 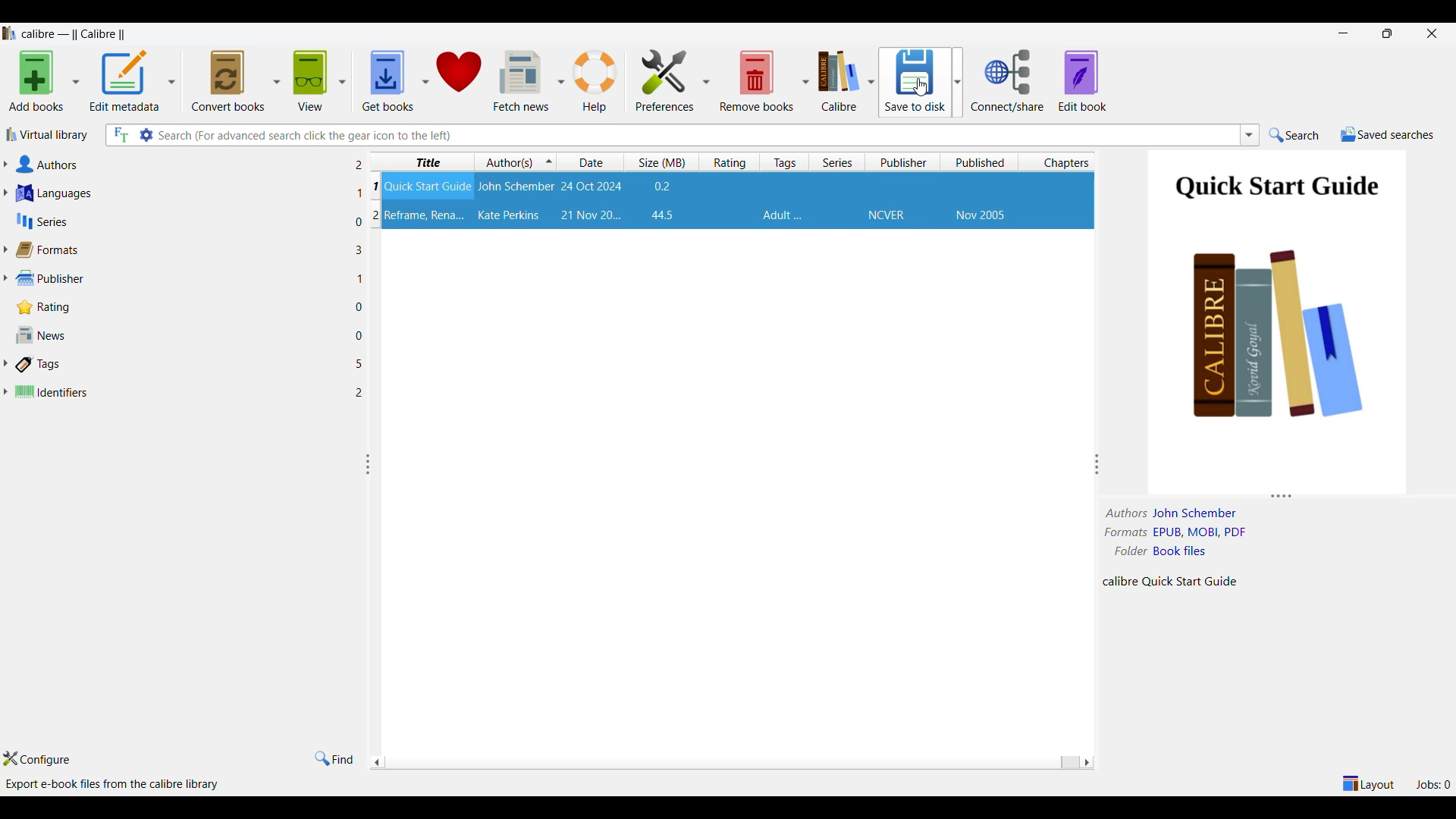 I want to click on List options, so click(x=1250, y=135).